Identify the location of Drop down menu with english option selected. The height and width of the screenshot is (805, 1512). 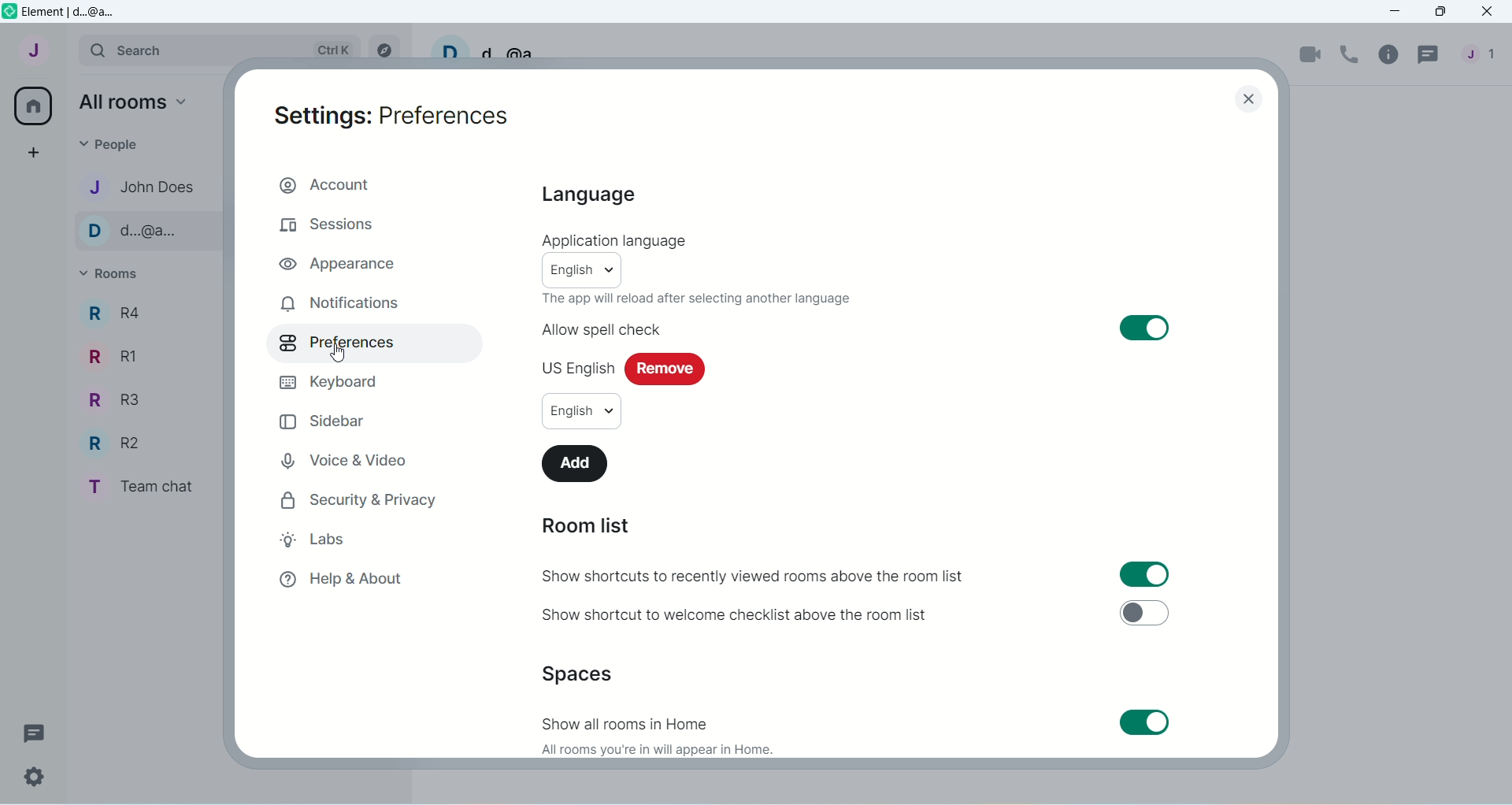
(594, 270).